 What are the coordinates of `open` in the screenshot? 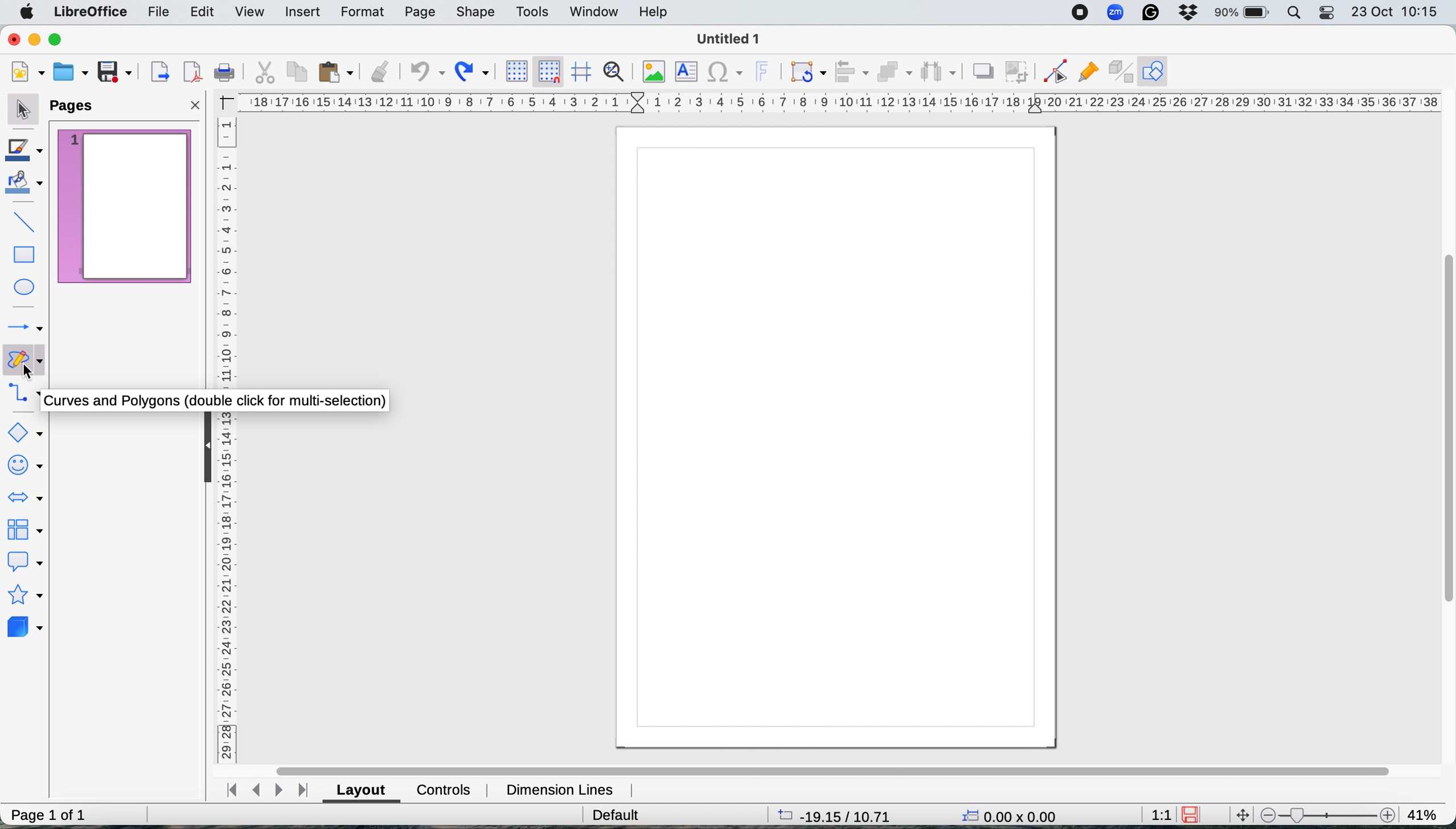 It's located at (71, 71).